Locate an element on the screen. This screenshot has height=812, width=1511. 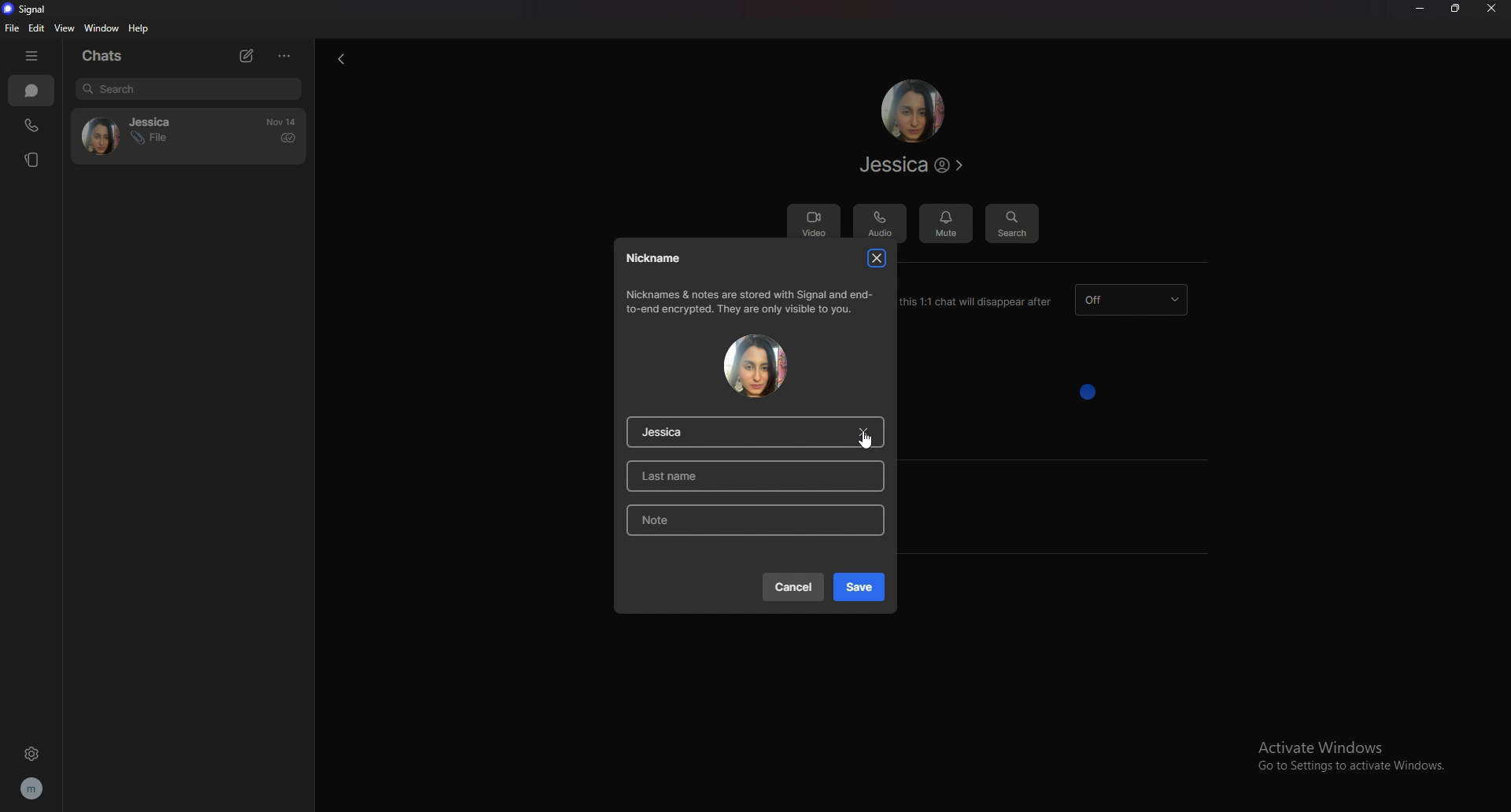
minimize is located at coordinates (1419, 9).